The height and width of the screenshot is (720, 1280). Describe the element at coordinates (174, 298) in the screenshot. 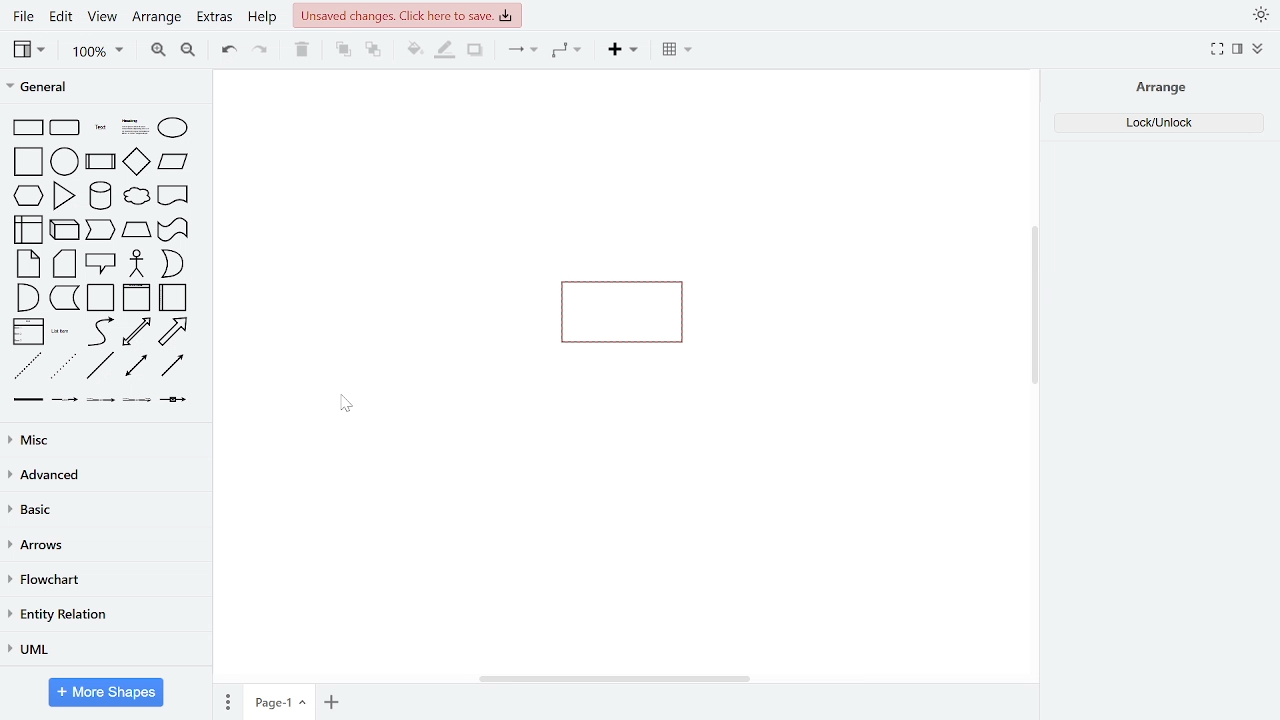

I see `horizontal container` at that location.